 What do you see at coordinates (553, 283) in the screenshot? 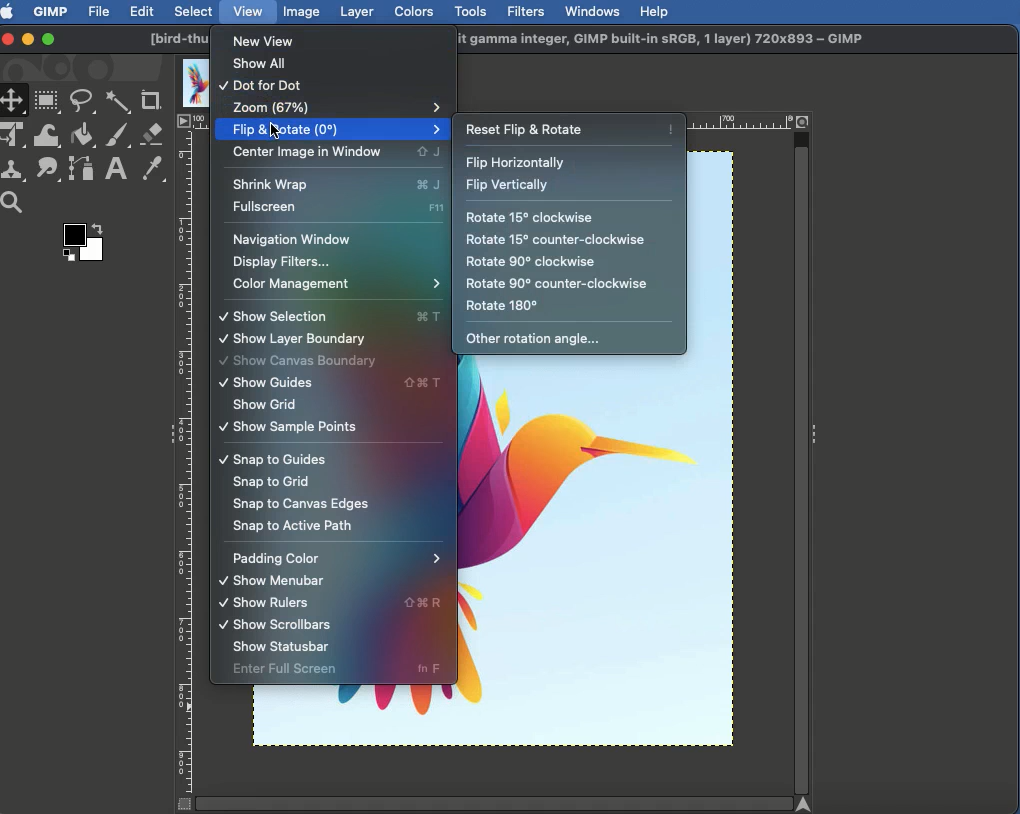
I see `Rotate 15 counter-clockwise` at bounding box center [553, 283].